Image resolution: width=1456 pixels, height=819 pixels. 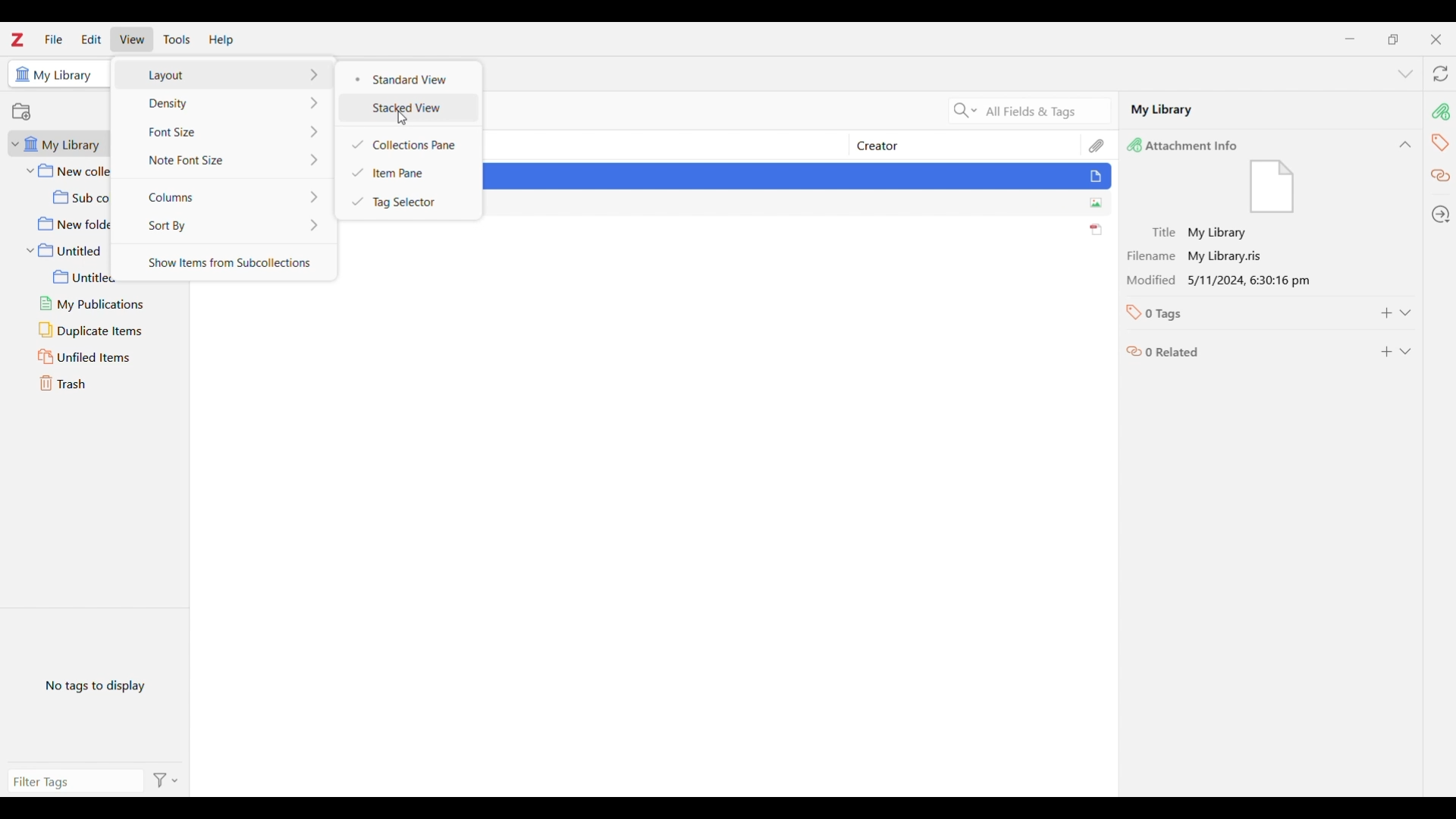 What do you see at coordinates (1405, 144) in the screenshot?
I see `Collapse` at bounding box center [1405, 144].